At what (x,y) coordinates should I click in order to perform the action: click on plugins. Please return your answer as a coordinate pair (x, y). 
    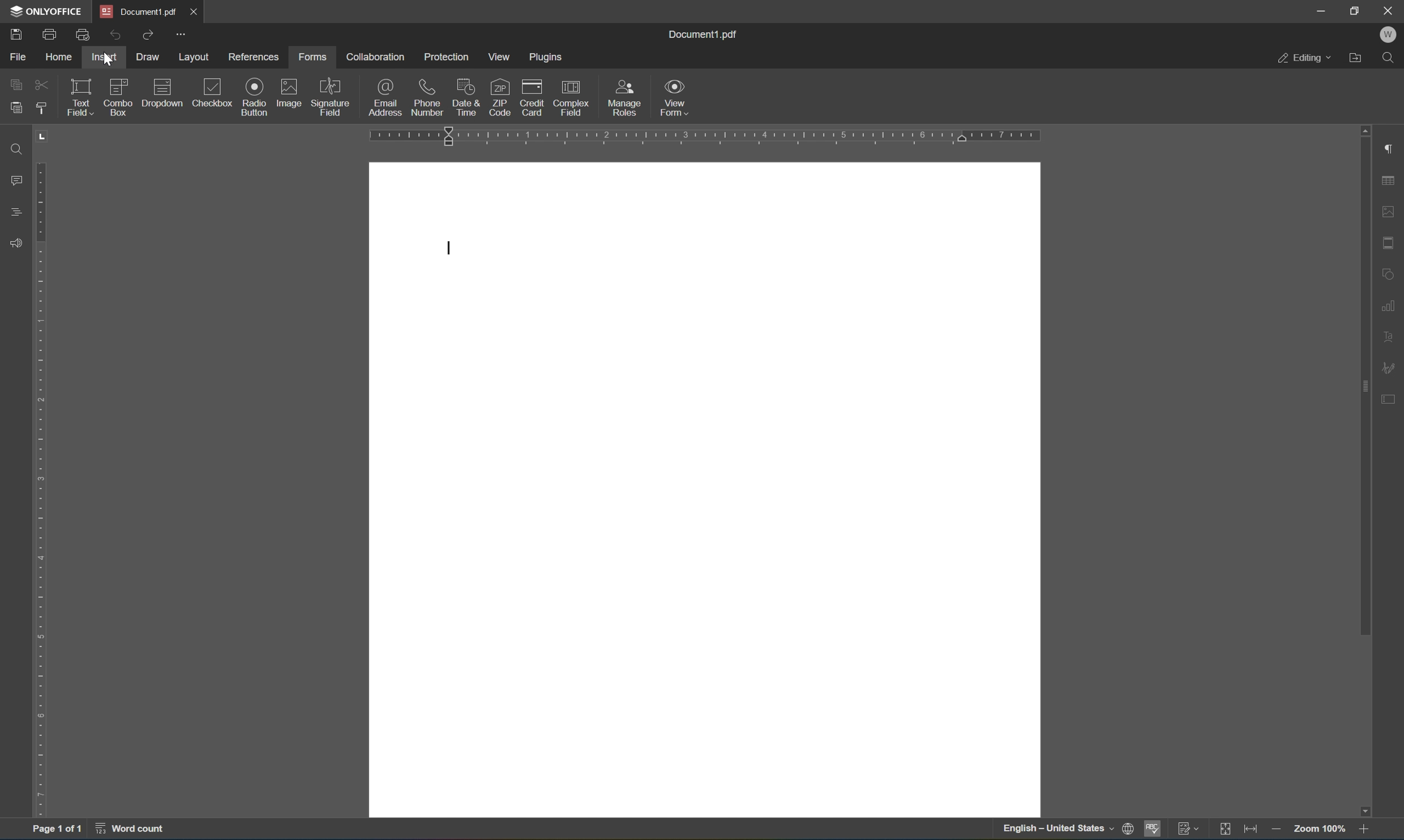
    Looking at the image, I should click on (547, 58).